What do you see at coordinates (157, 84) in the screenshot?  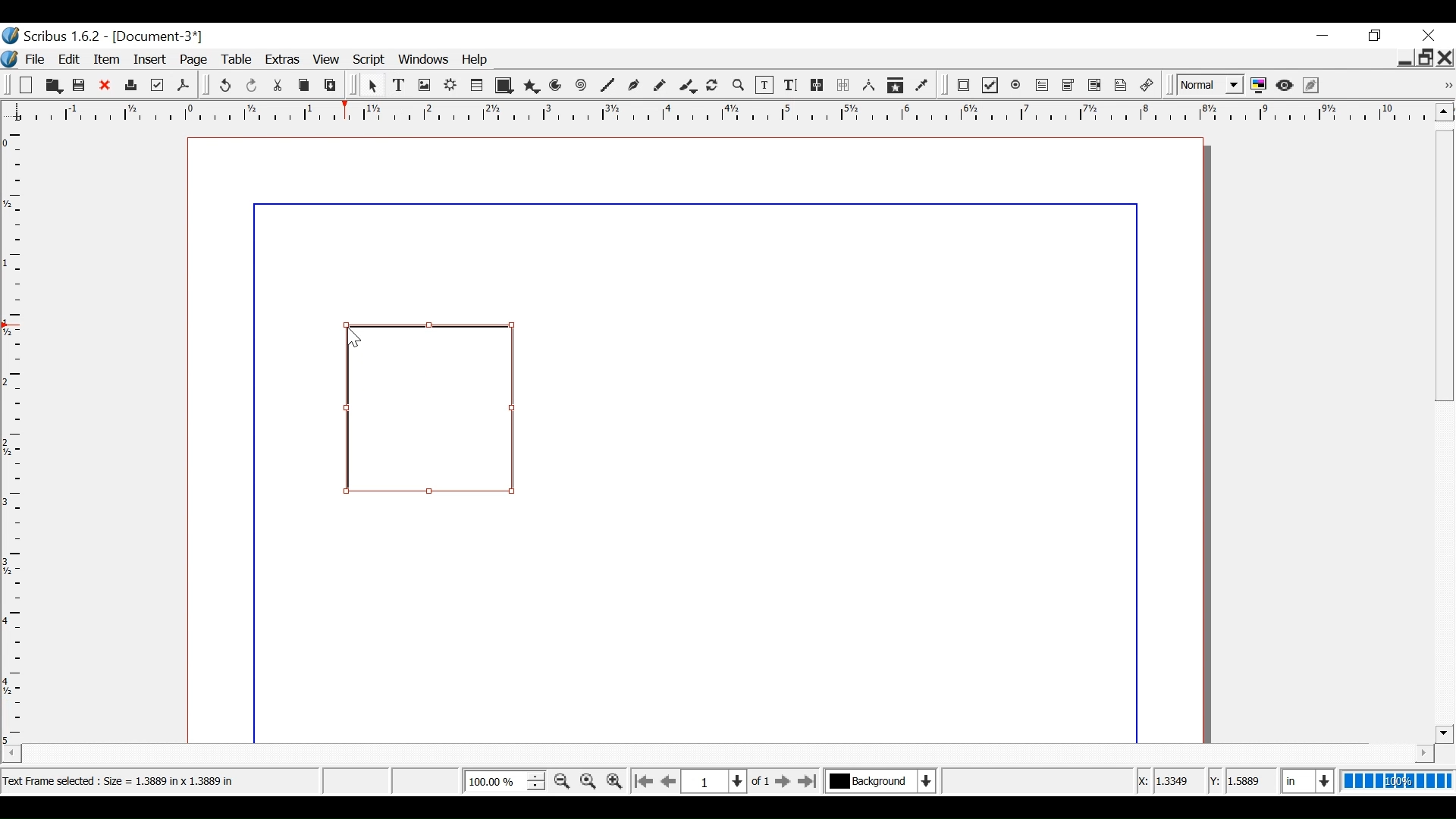 I see `Prefilight Verifier` at bounding box center [157, 84].